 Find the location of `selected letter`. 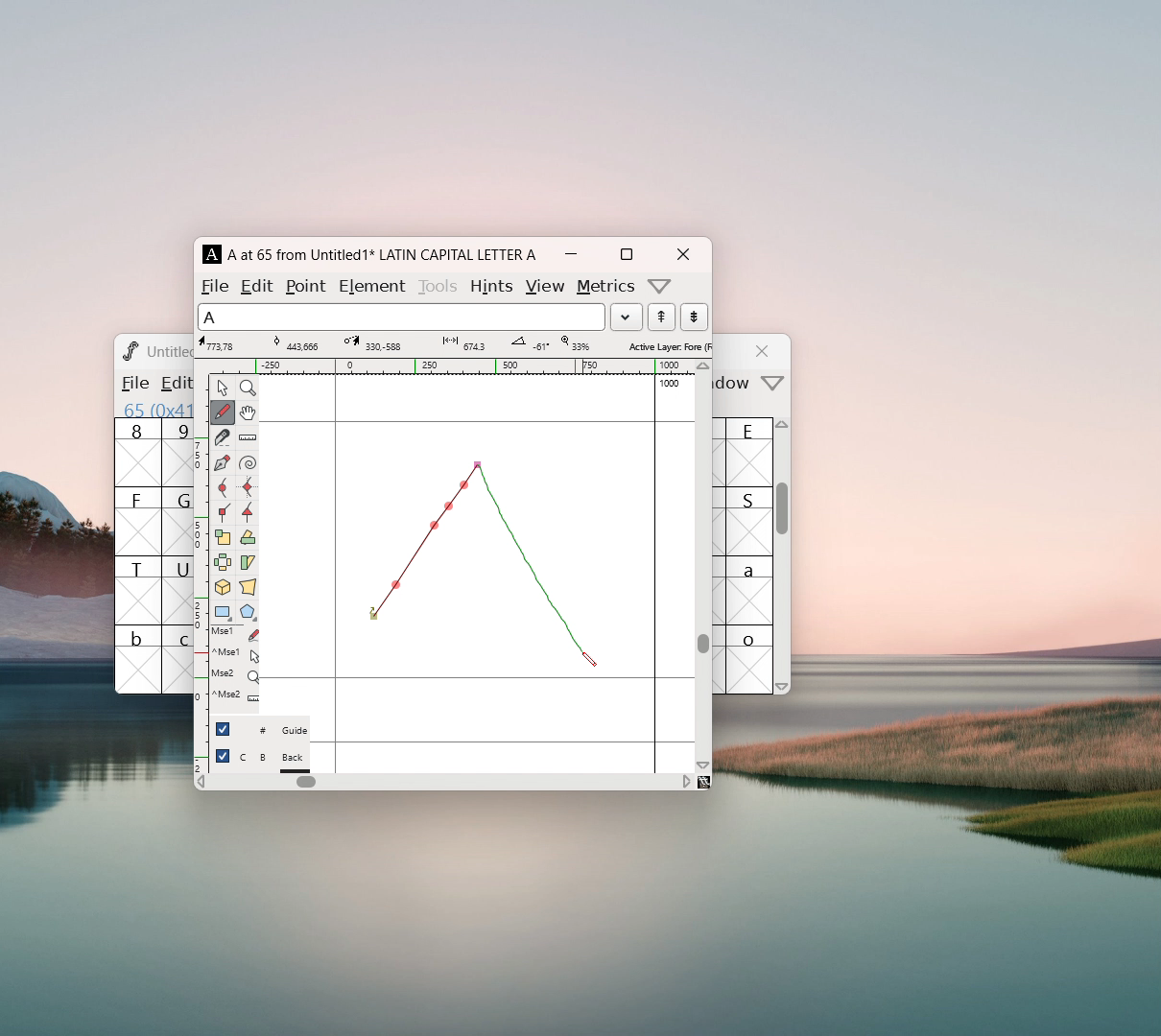

selected letter is located at coordinates (401, 316).